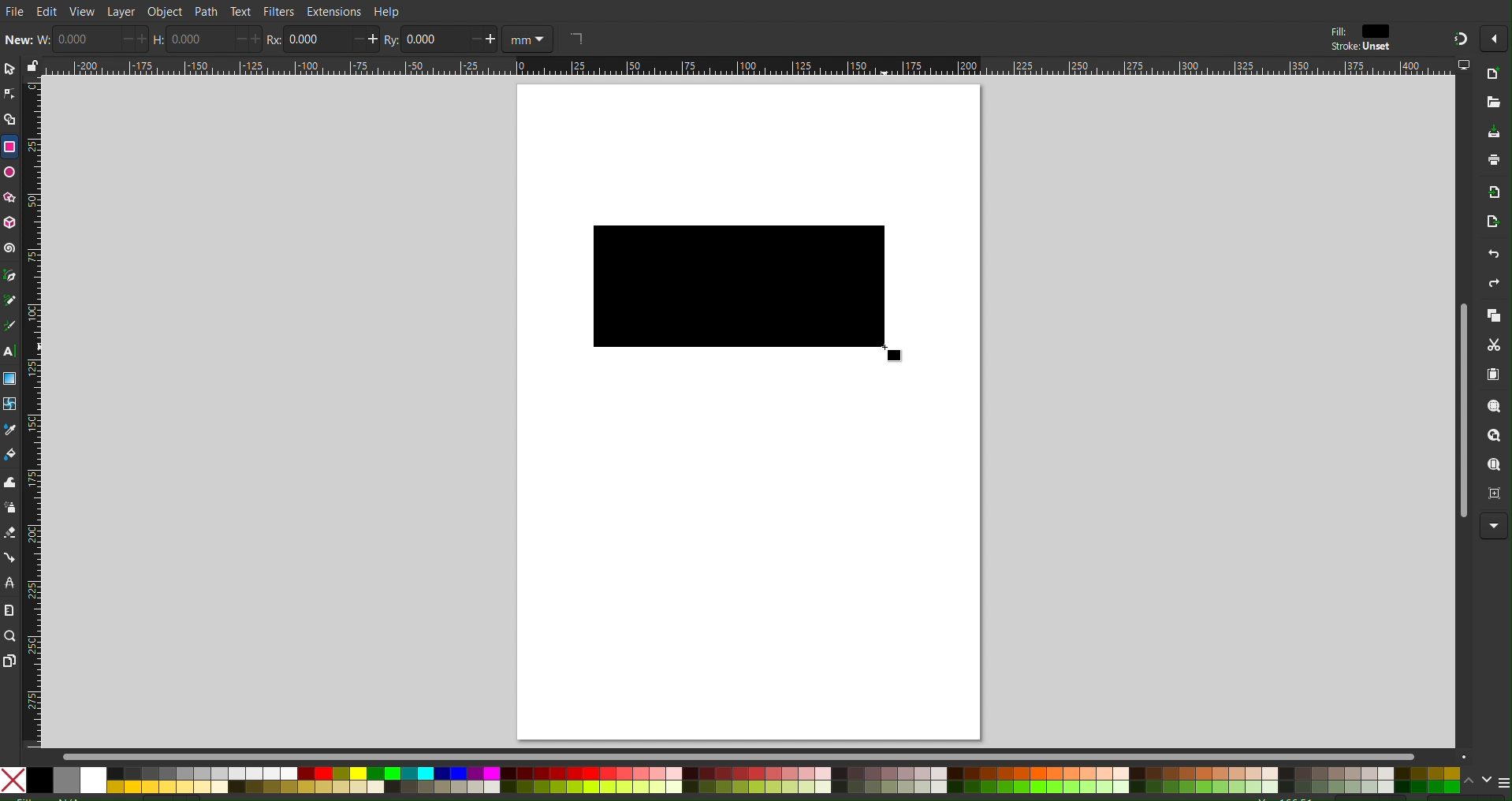 Image resolution: width=1512 pixels, height=801 pixels. I want to click on Layer, so click(120, 10).